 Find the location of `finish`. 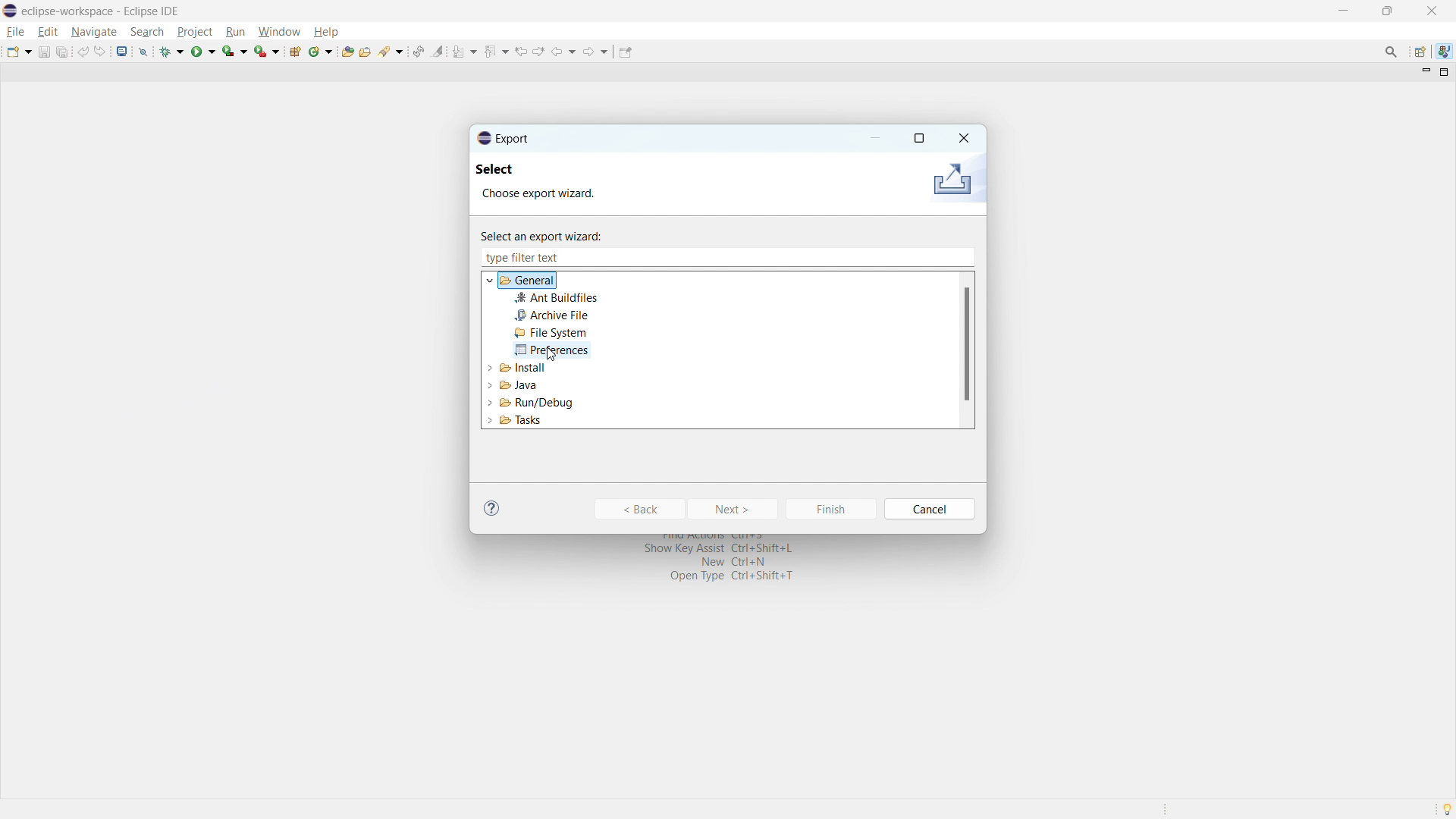

finish is located at coordinates (830, 509).